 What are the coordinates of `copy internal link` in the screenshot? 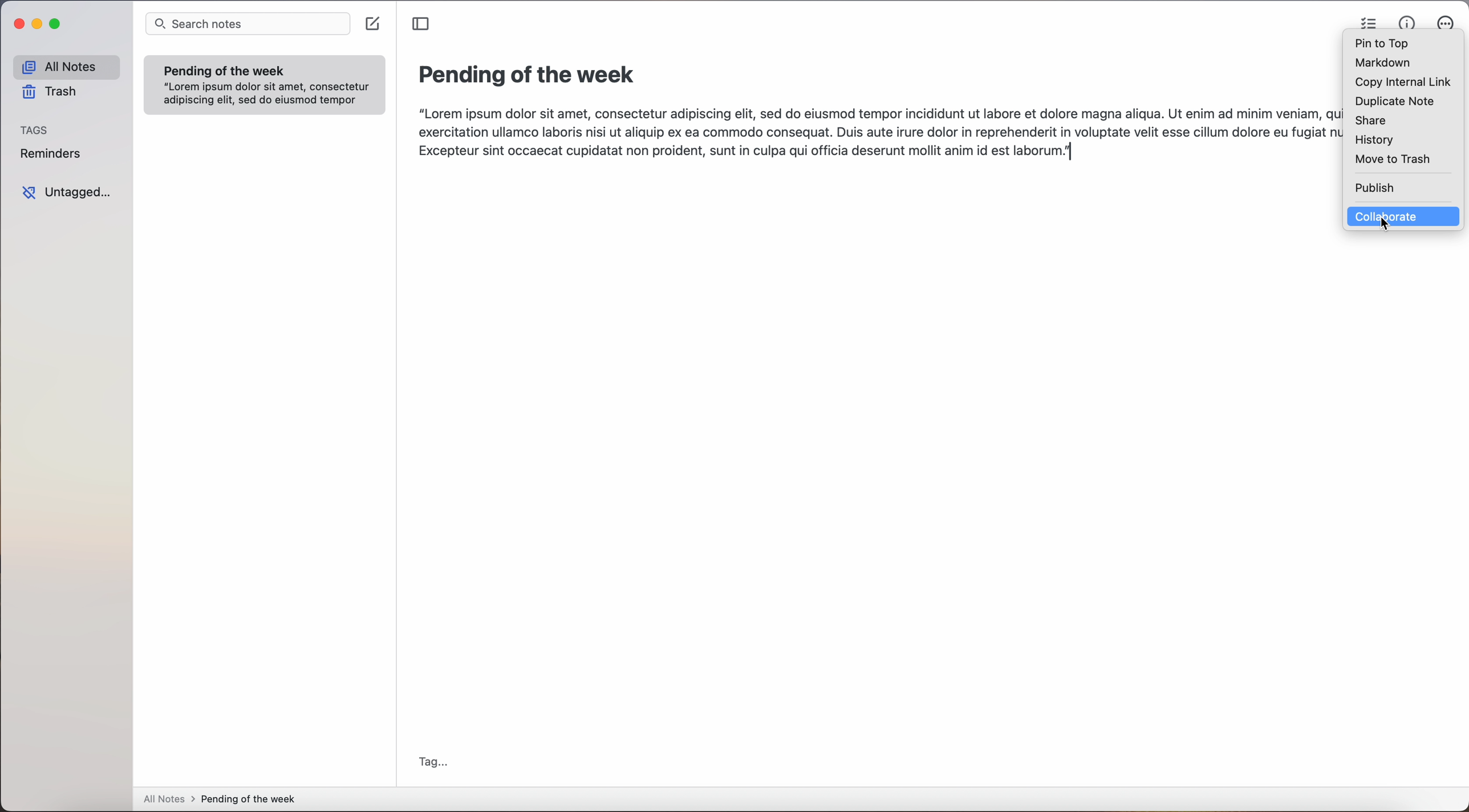 It's located at (1399, 83).